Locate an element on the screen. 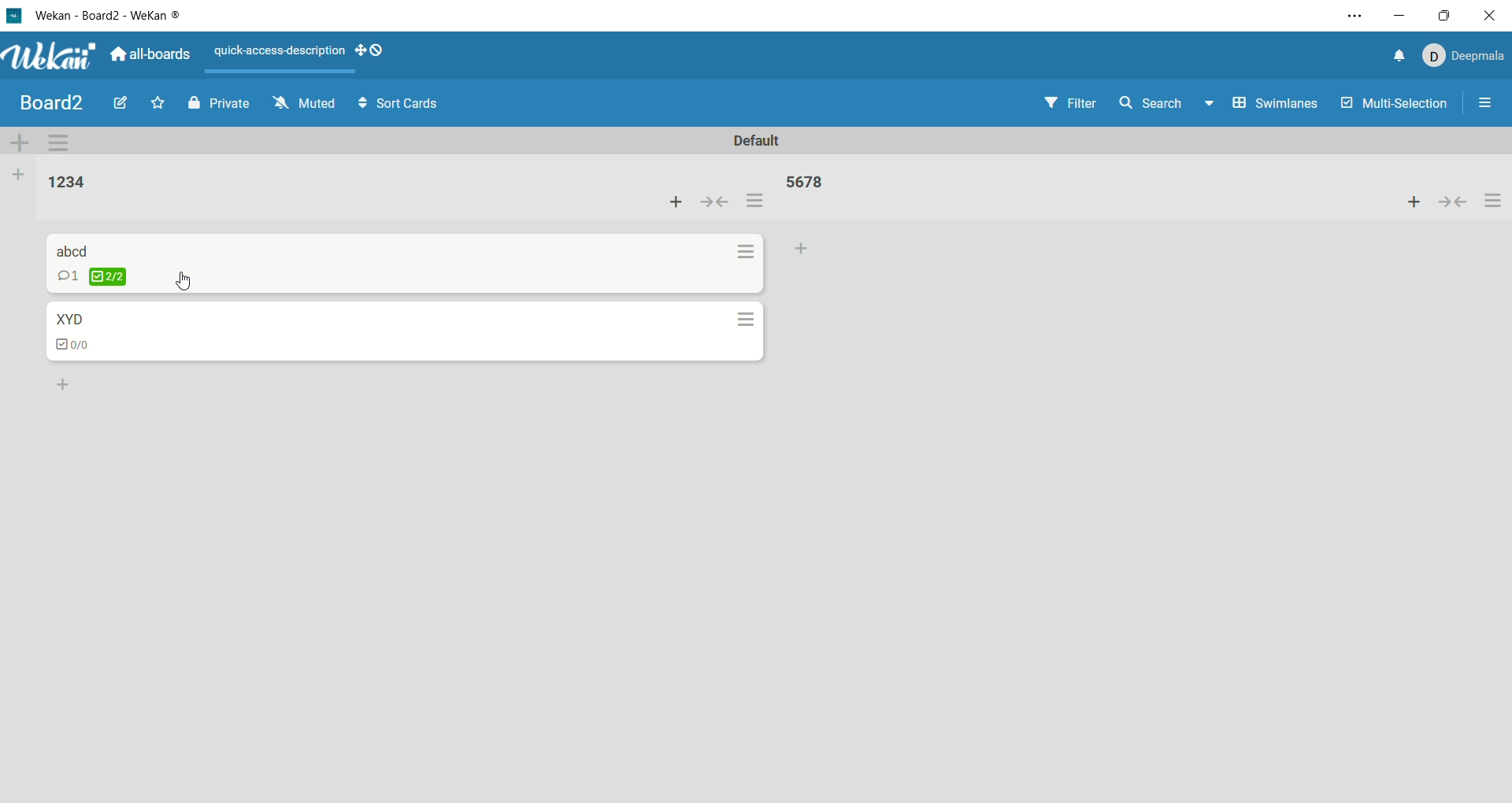 Image resolution: width=1512 pixels, height=803 pixels. options is located at coordinates (746, 250).